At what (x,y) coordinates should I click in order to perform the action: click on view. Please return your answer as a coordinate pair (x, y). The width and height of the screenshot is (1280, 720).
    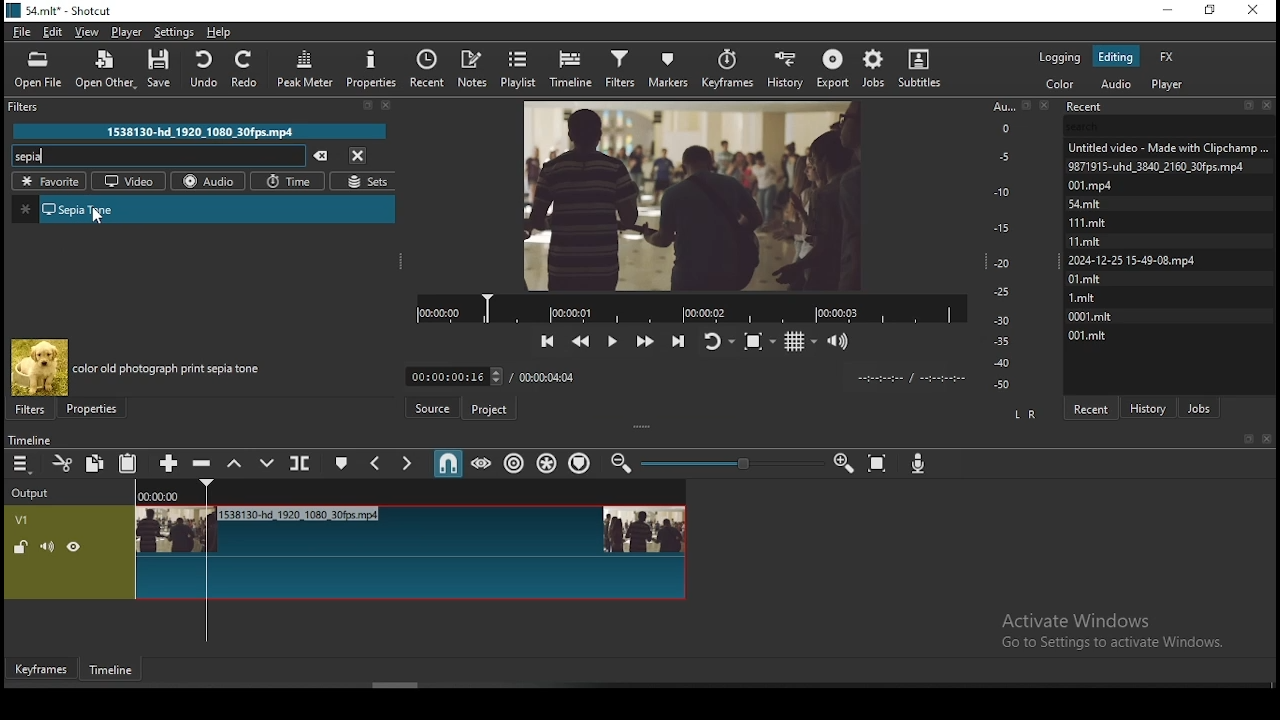
    Looking at the image, I should click on (89, 32).